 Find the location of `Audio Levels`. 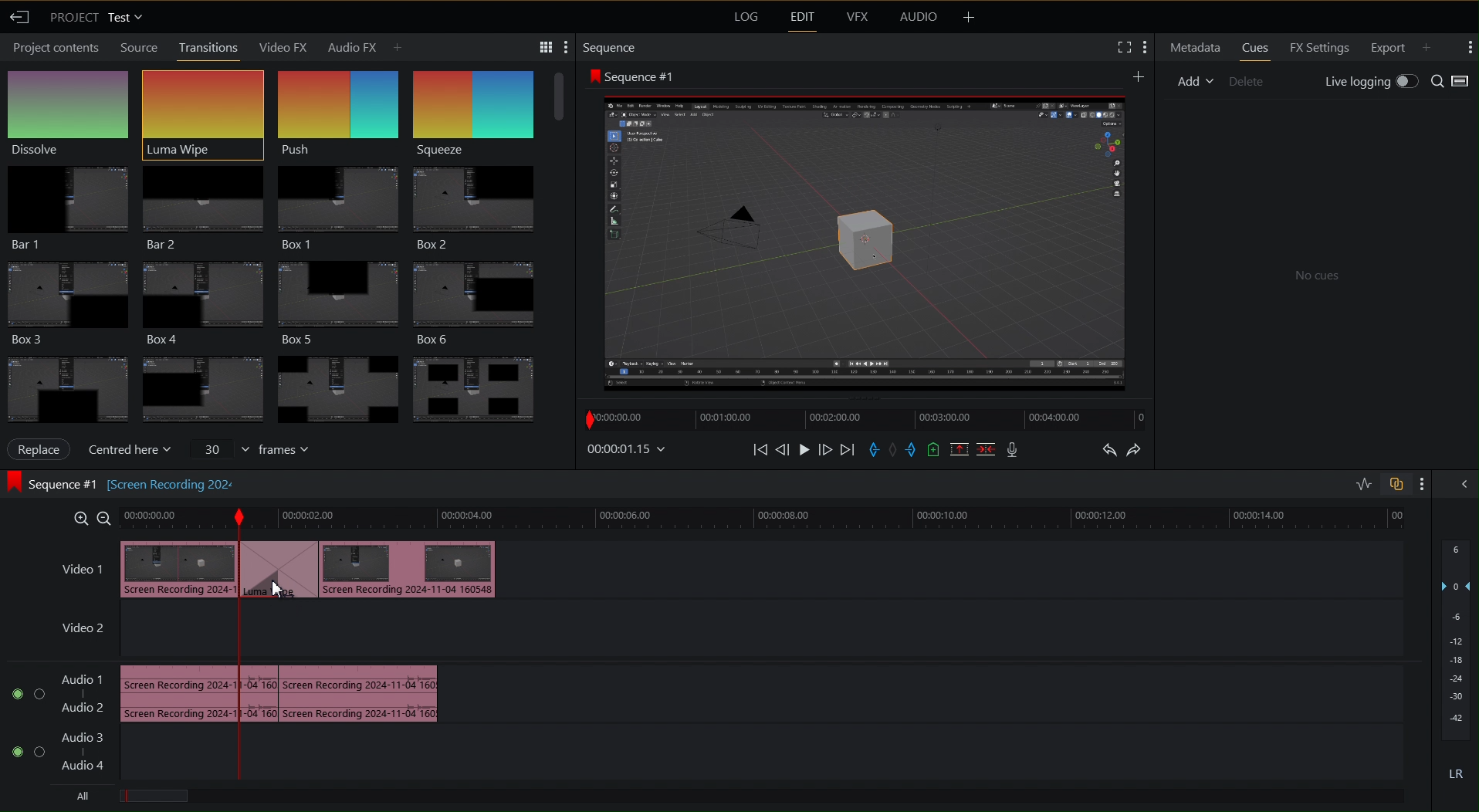

Audio Levels is located at coordinates (1456, 664).